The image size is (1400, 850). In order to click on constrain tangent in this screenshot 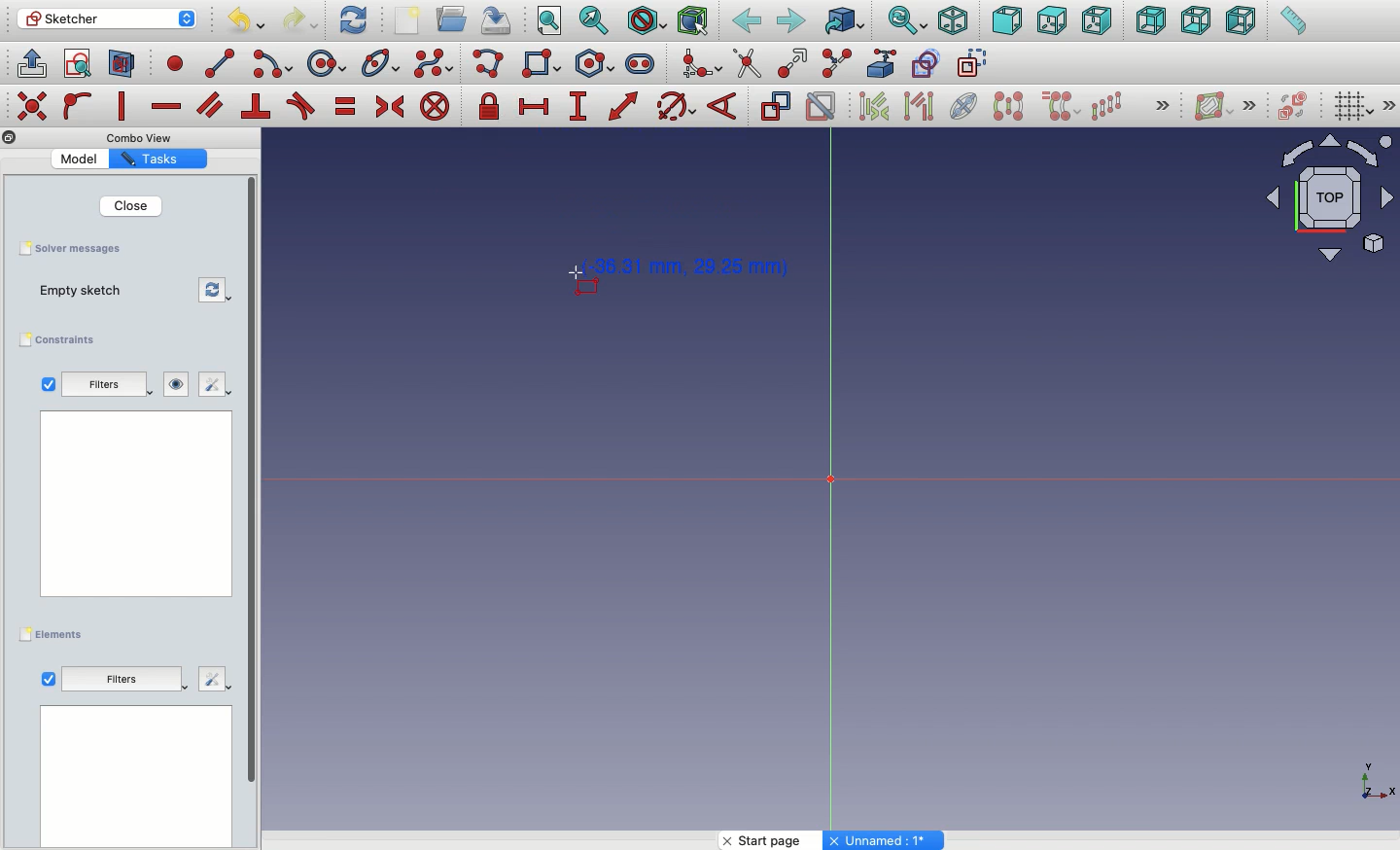, I will do `click(301, 106)`.